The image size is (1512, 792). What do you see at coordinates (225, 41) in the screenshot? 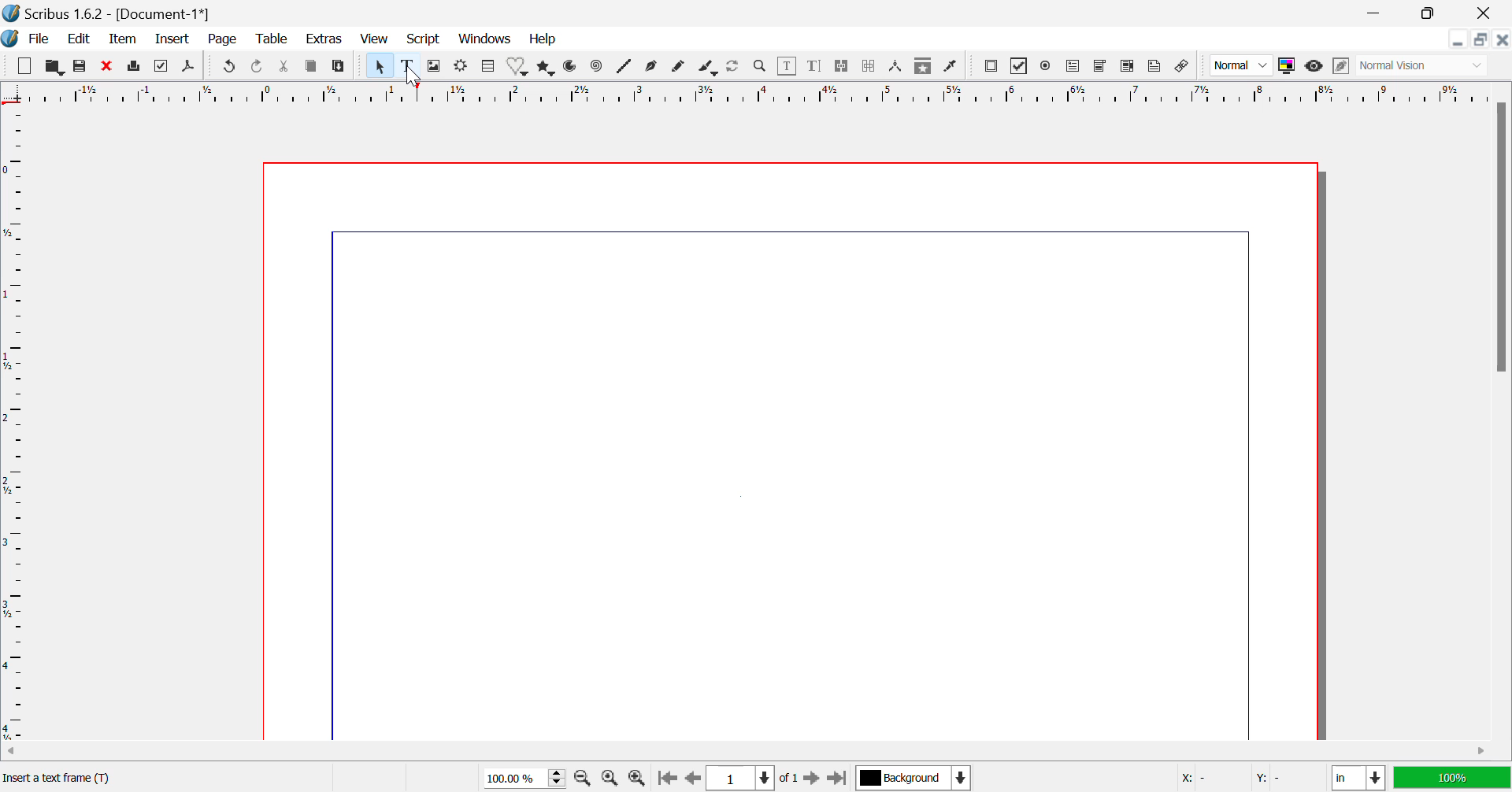
I see `Page` at bounding box center [225, 41].